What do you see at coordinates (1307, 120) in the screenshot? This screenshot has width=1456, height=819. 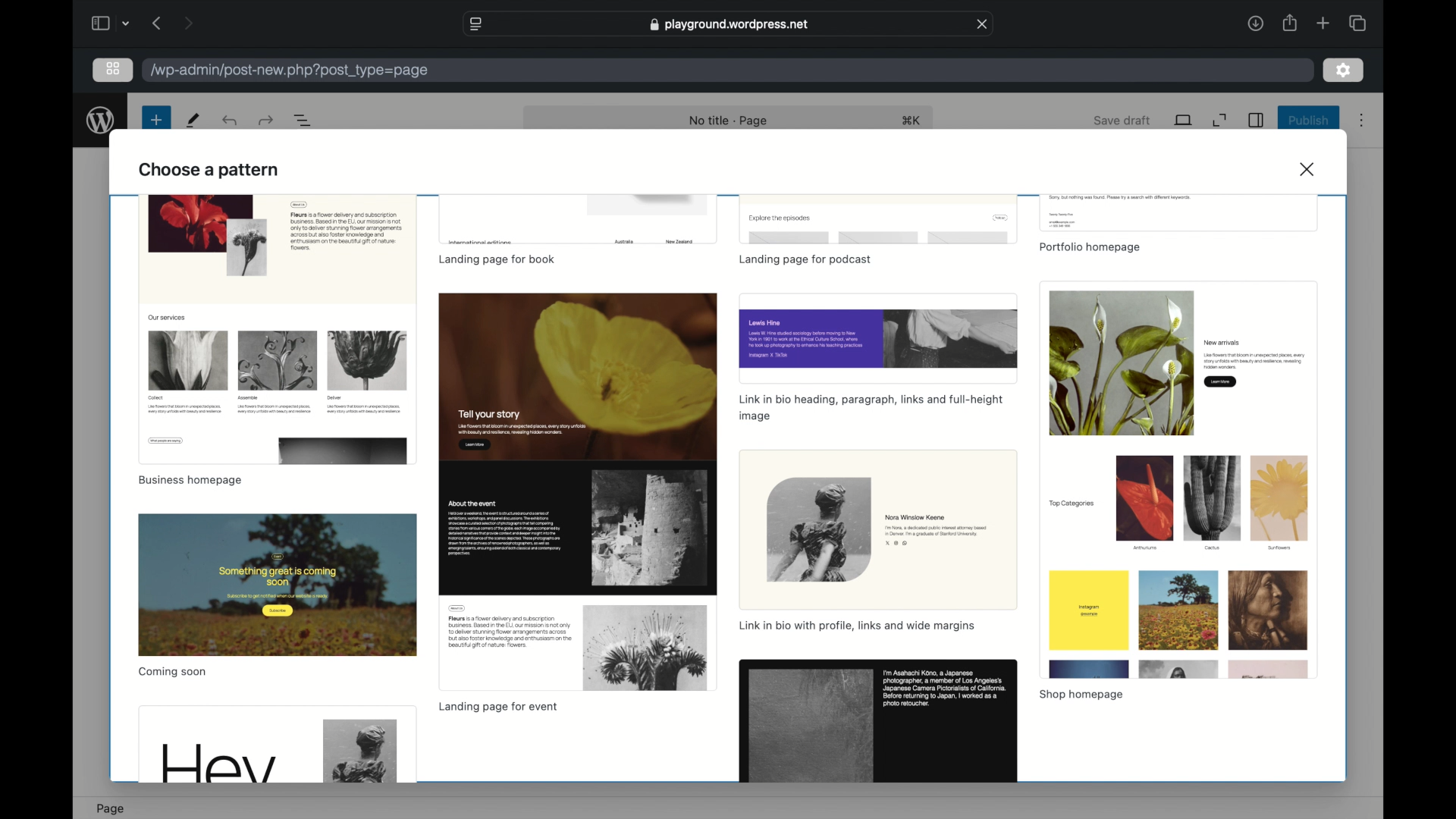 I see `publish` at bounding box center [1307, 120].